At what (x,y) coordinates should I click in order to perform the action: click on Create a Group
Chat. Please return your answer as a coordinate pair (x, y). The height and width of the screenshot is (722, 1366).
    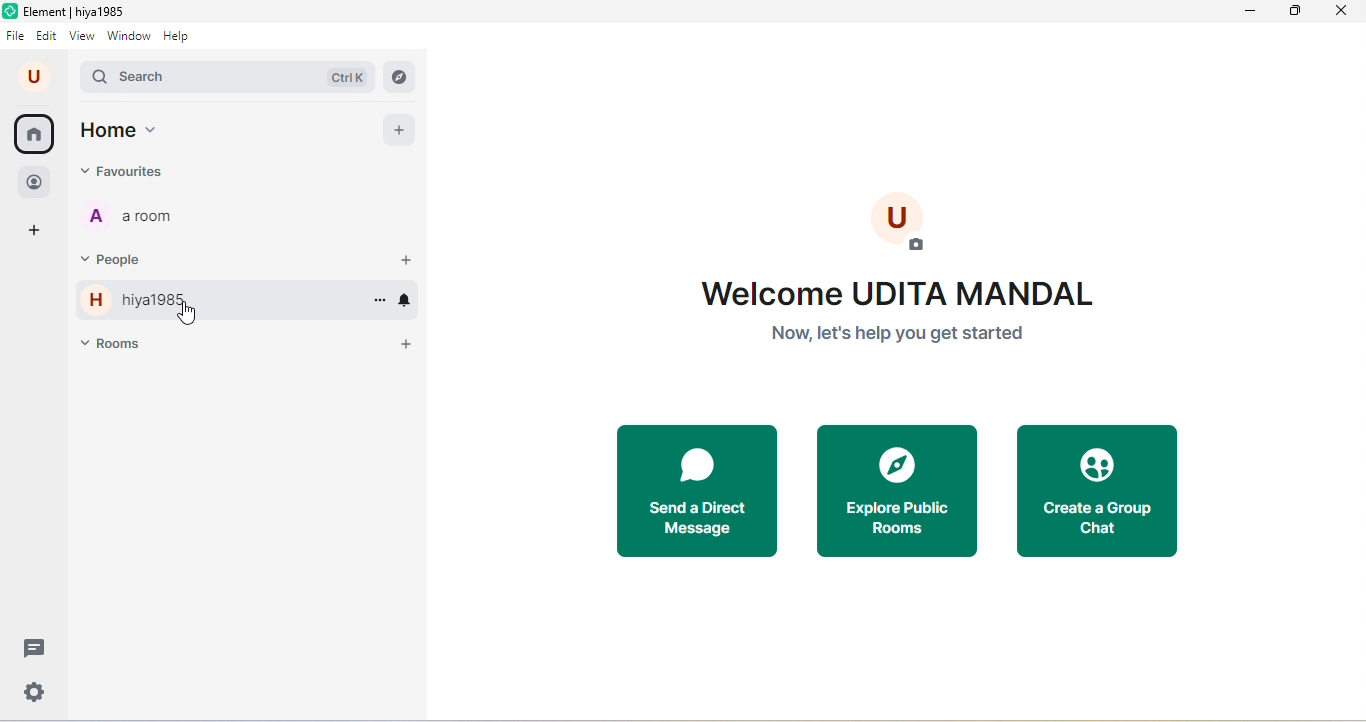
    Looking at the image, I should click on (1099, 491).